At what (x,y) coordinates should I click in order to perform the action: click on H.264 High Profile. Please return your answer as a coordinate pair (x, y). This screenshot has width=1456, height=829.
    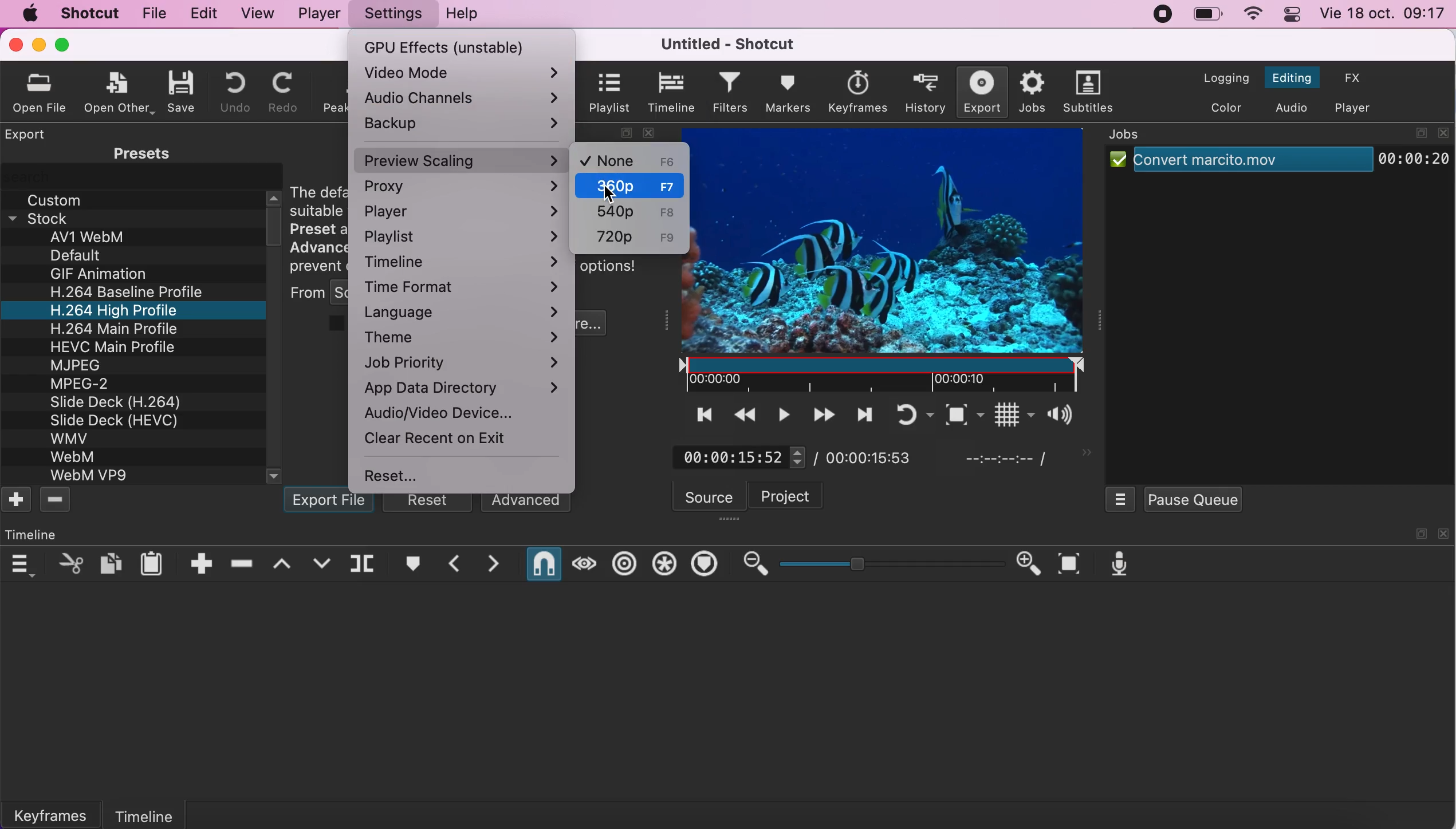
    Looking at the image, I should click on (127, 310).